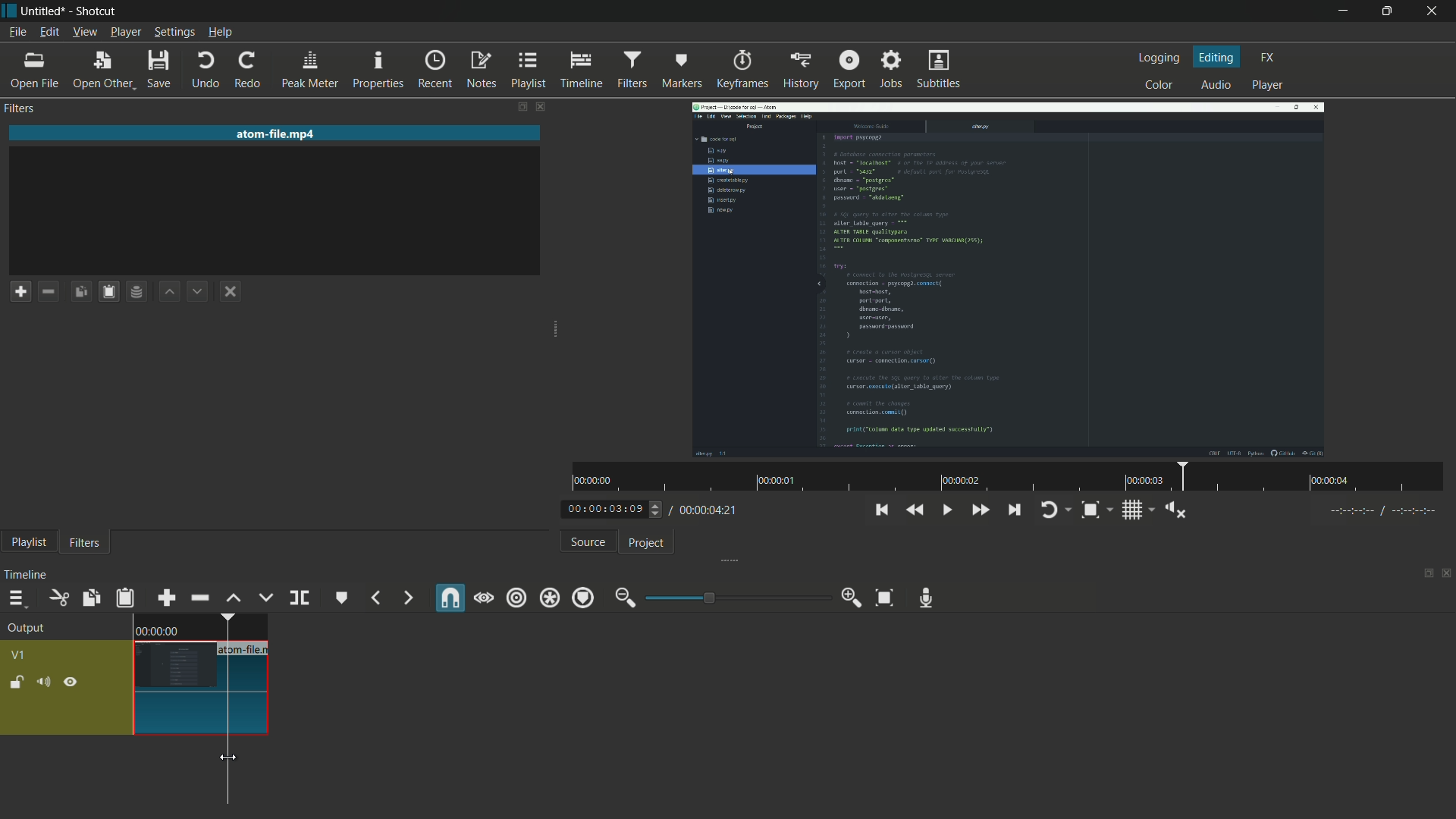 This screenshot has height=819, width=1456. Describe the element at coordinates (606, 508) in the screenshot. I see `current time` at that location.